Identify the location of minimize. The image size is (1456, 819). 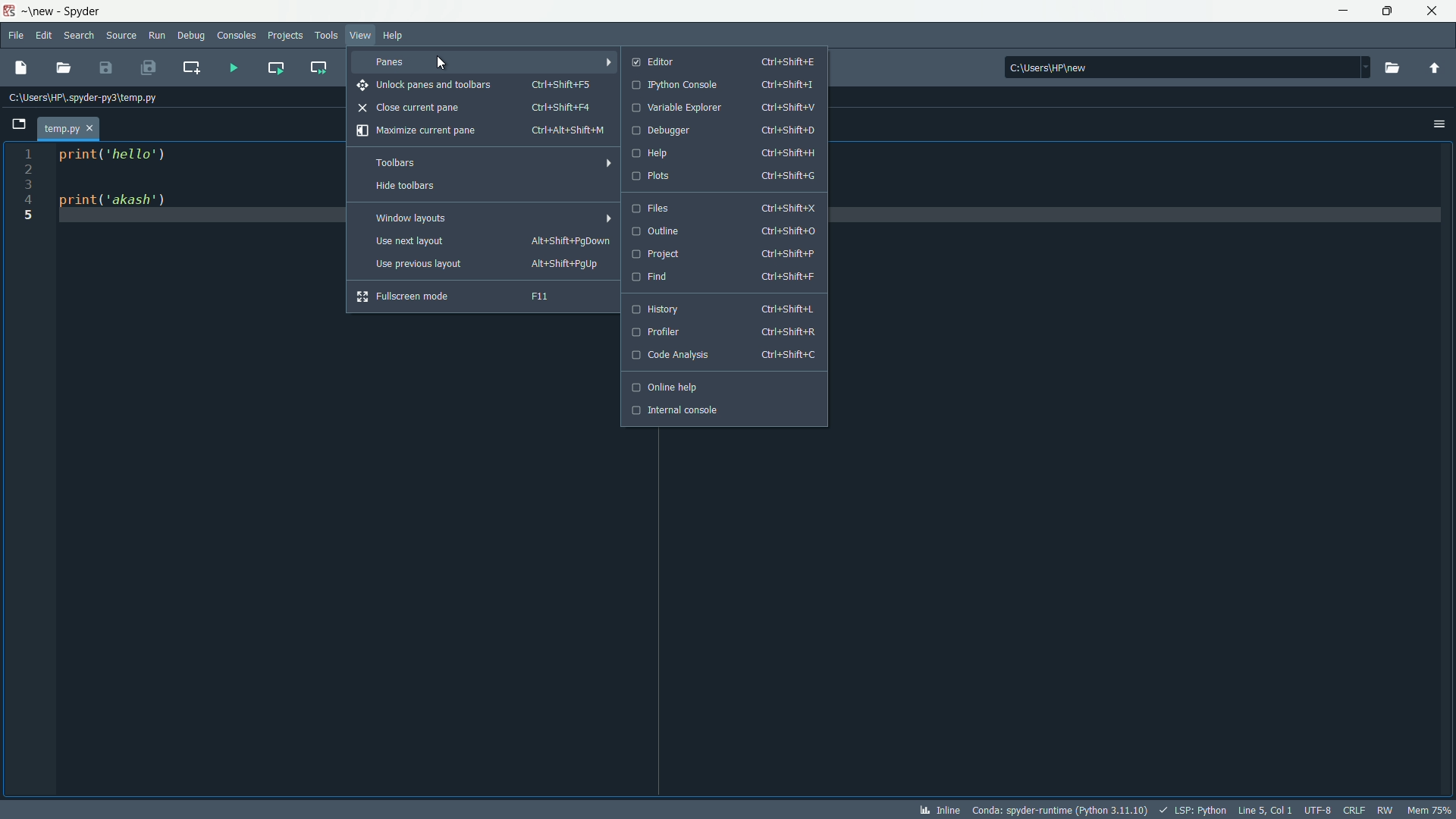
(1345, 11).